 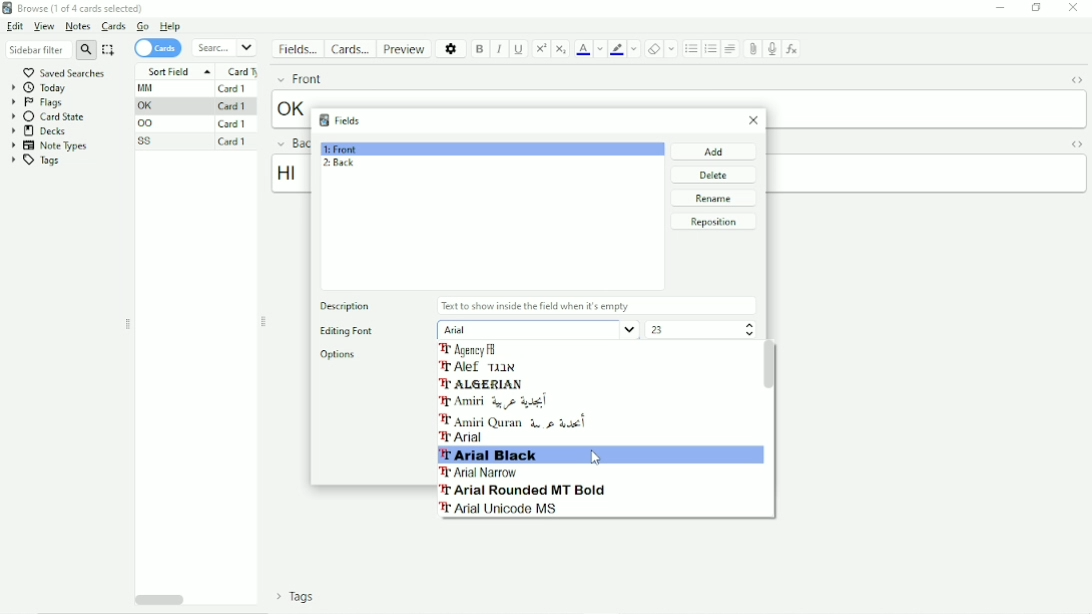 I want to click on Italic, so click(x=500, y=49).